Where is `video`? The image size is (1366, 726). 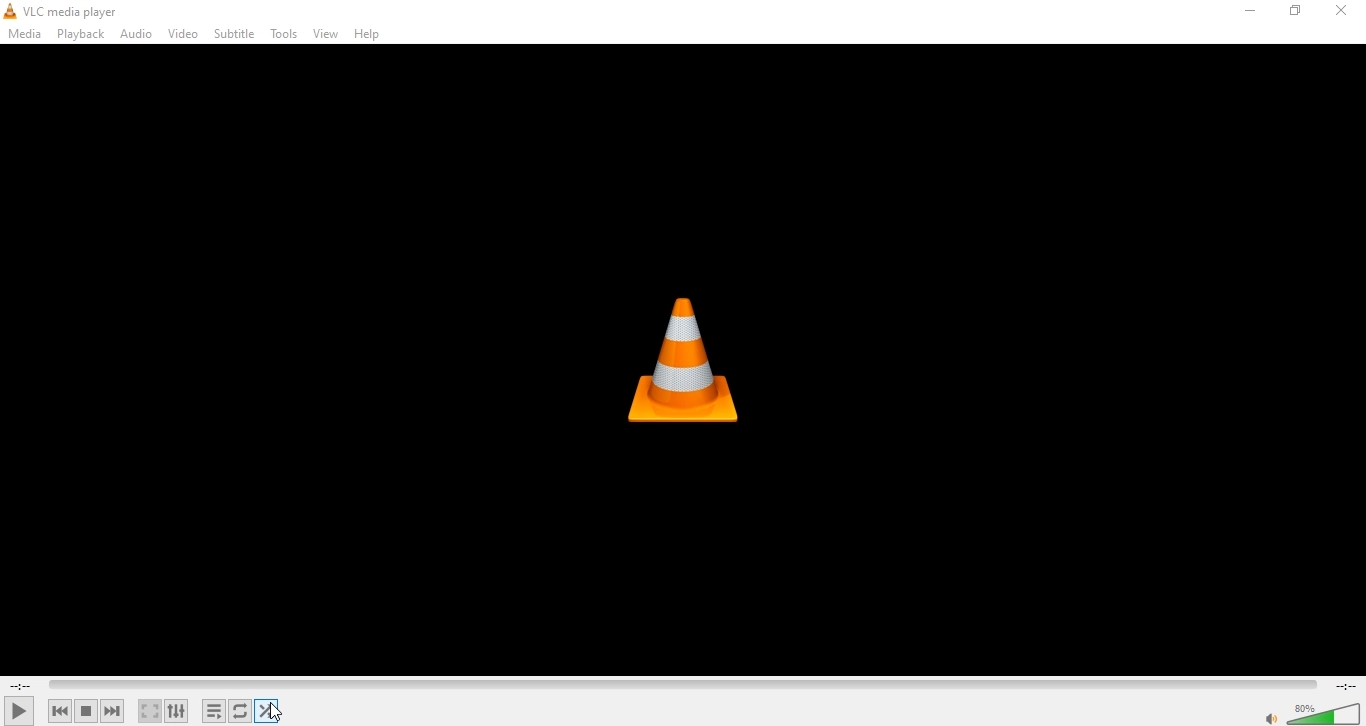
video is located at coordinates (182, 32).